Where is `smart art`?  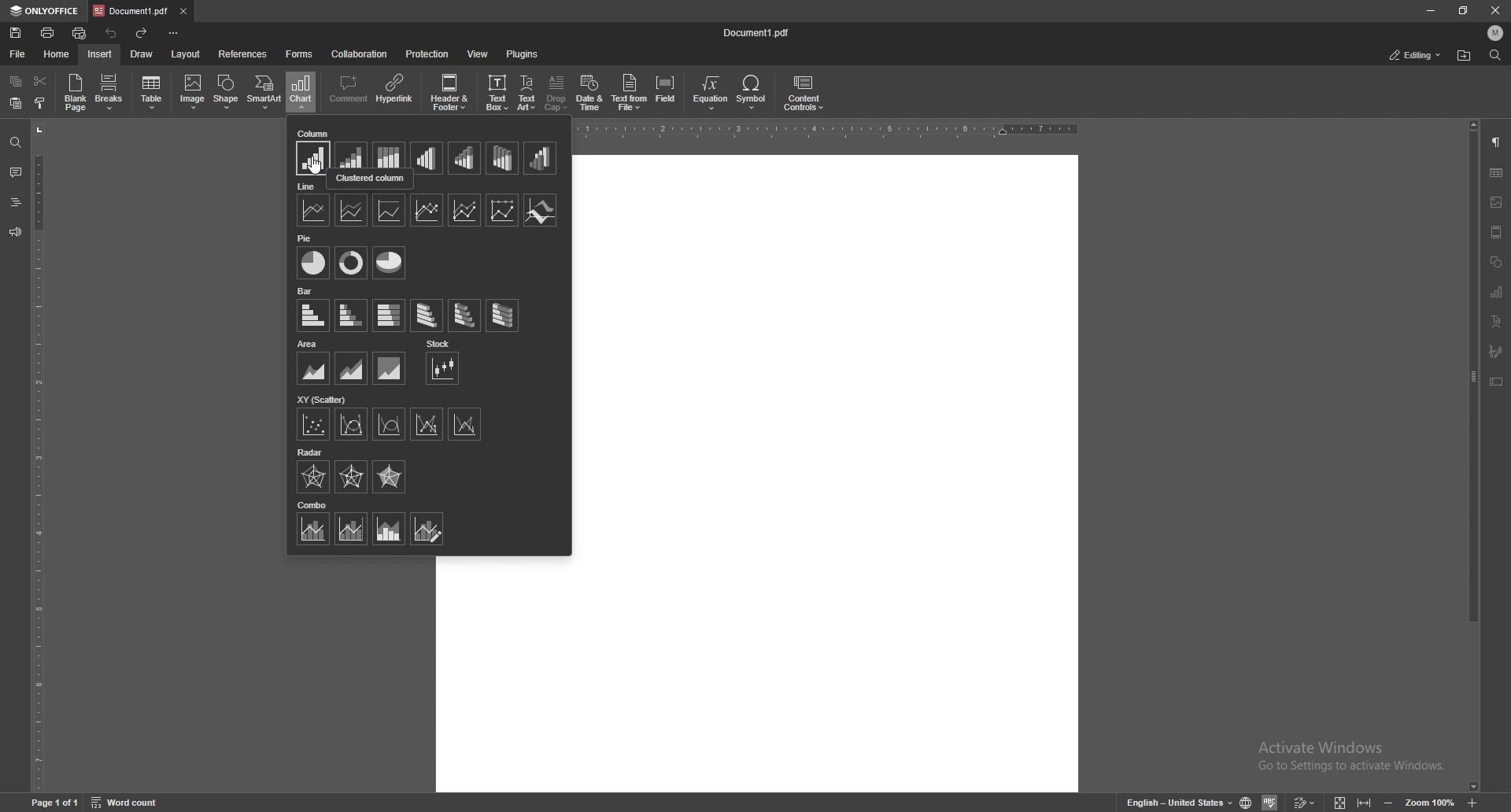 smart art is located at coordinates (265, 93).